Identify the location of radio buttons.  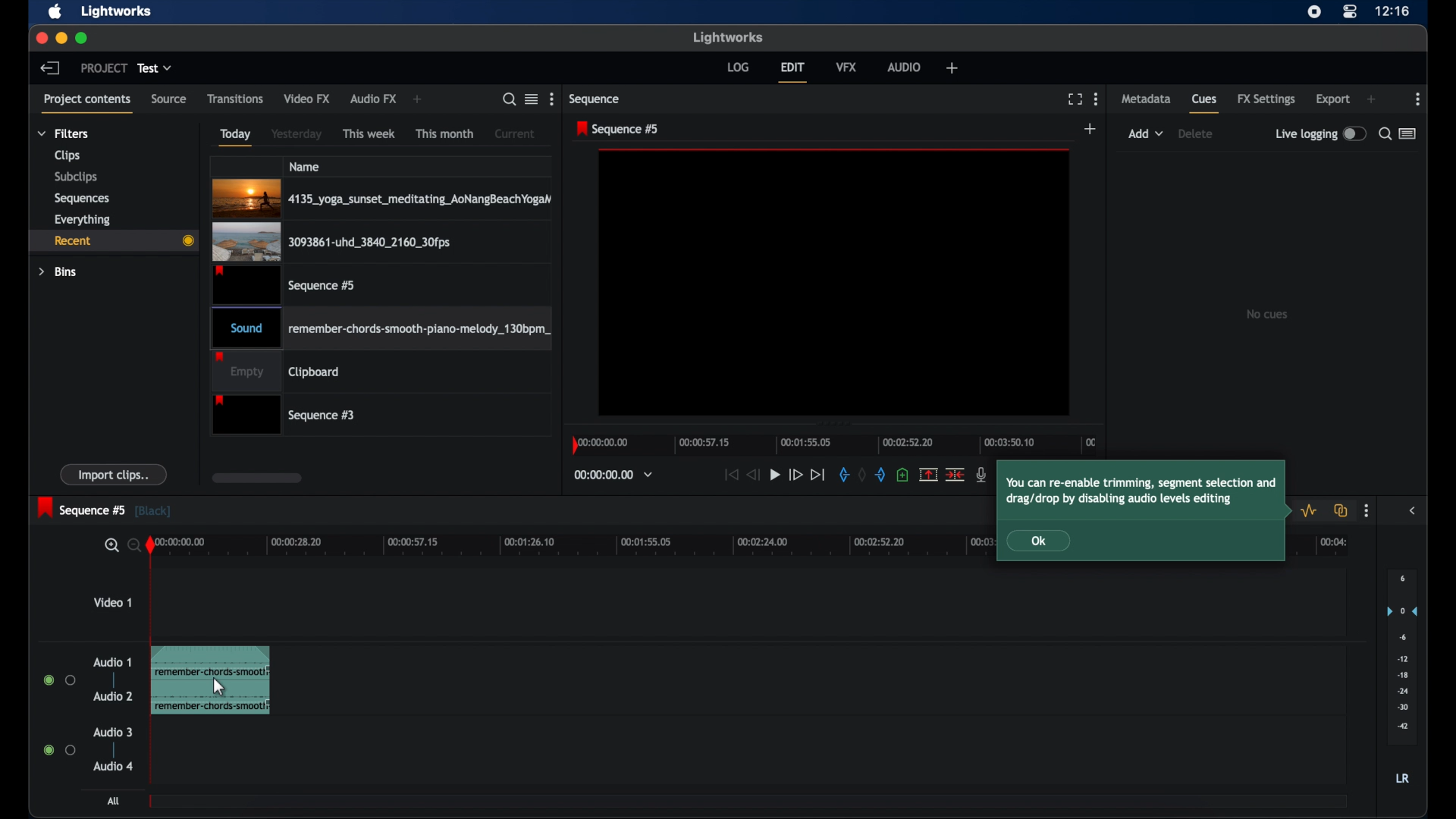
(60, 749).